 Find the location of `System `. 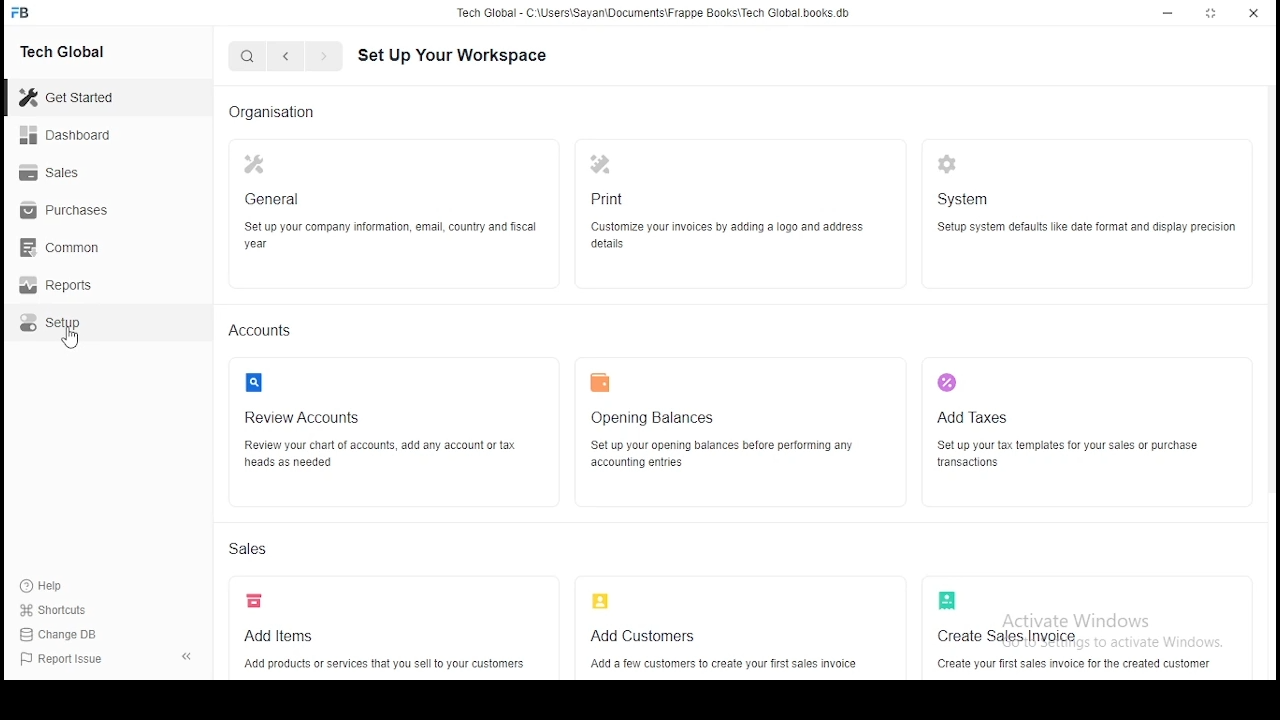

System  is located at coordinates (1084, 209).